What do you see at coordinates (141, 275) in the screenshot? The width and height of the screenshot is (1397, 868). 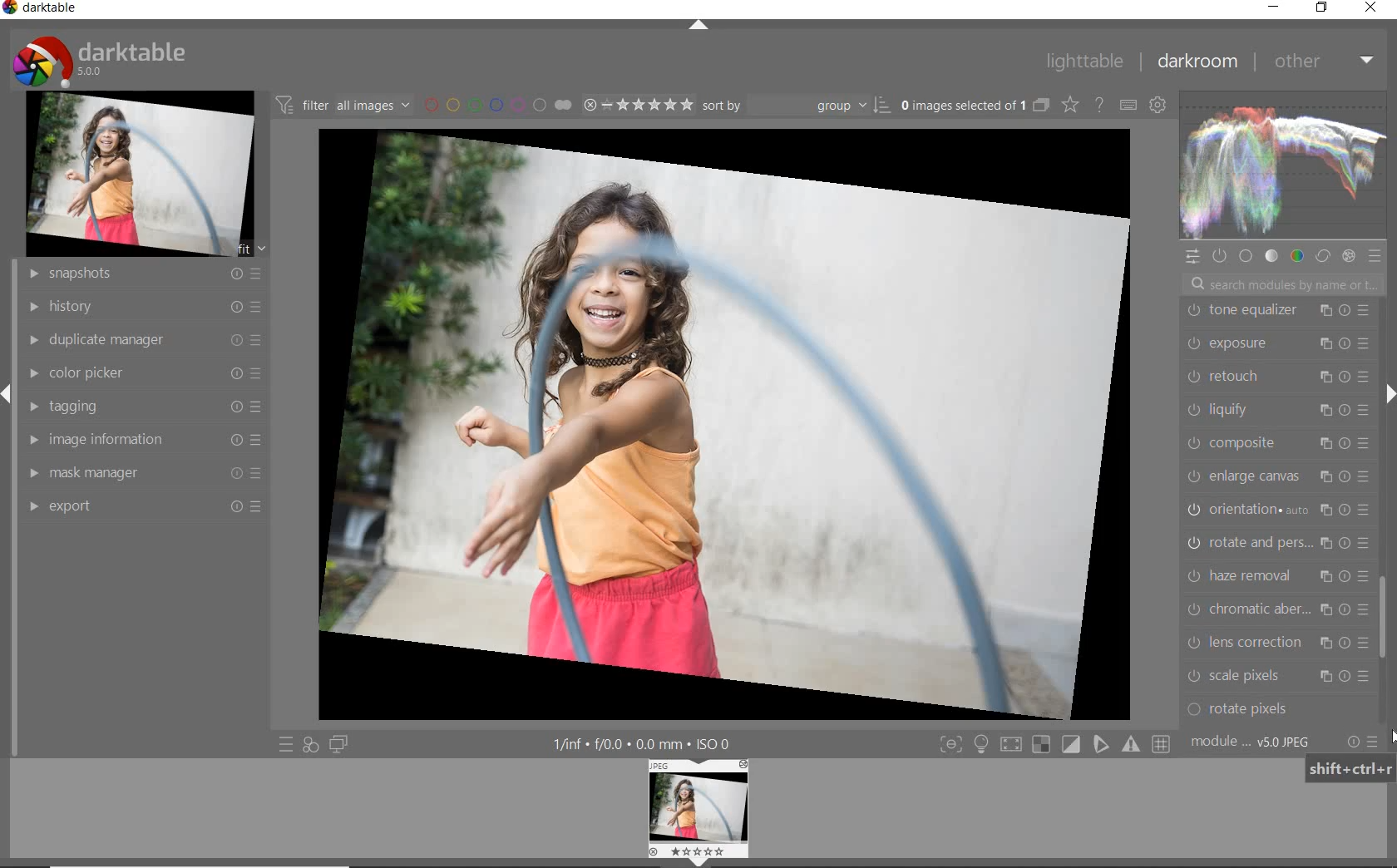 I see `snapshots` at bounding box center [141, 275].